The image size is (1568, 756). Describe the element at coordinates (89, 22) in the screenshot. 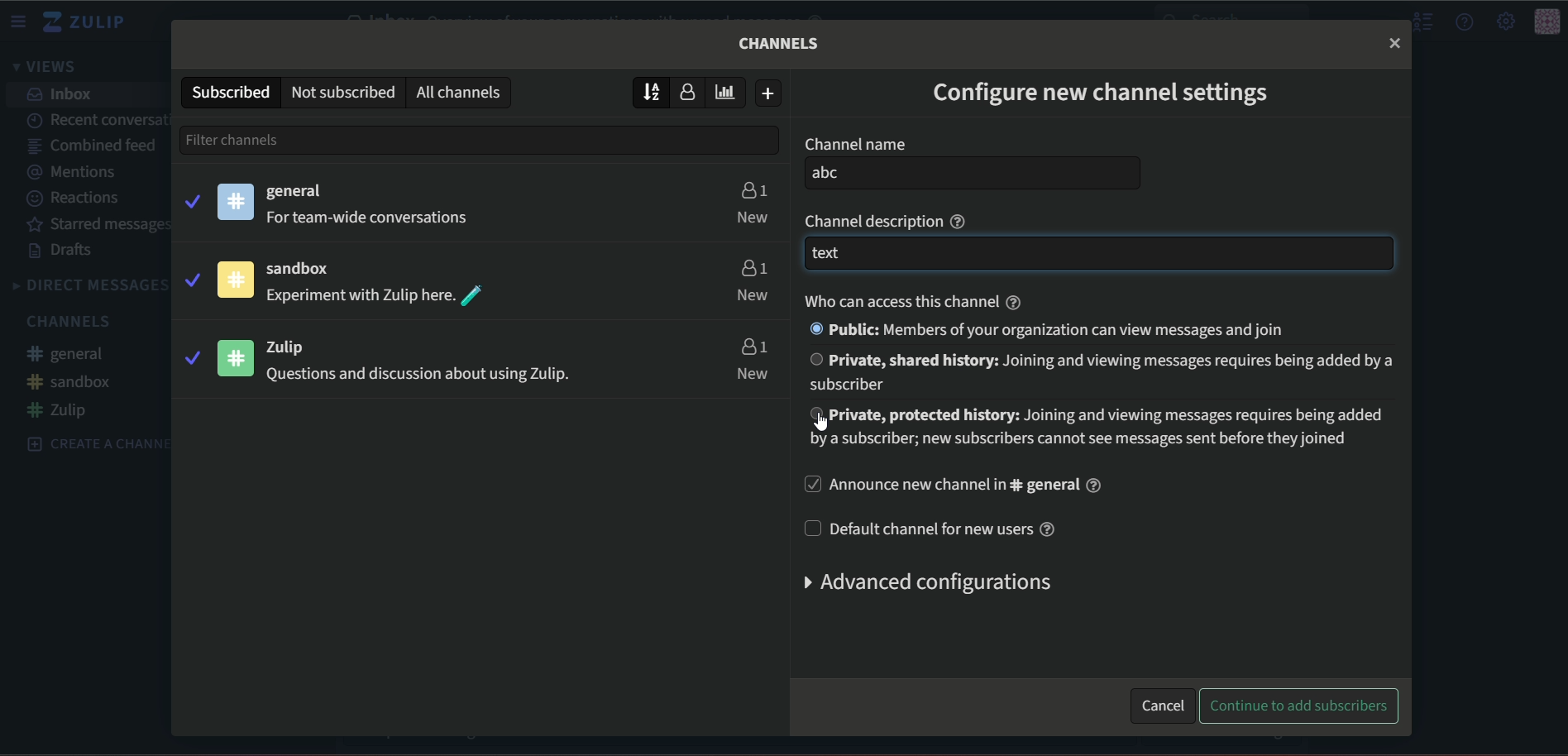

I see `zulip logo` at that location.